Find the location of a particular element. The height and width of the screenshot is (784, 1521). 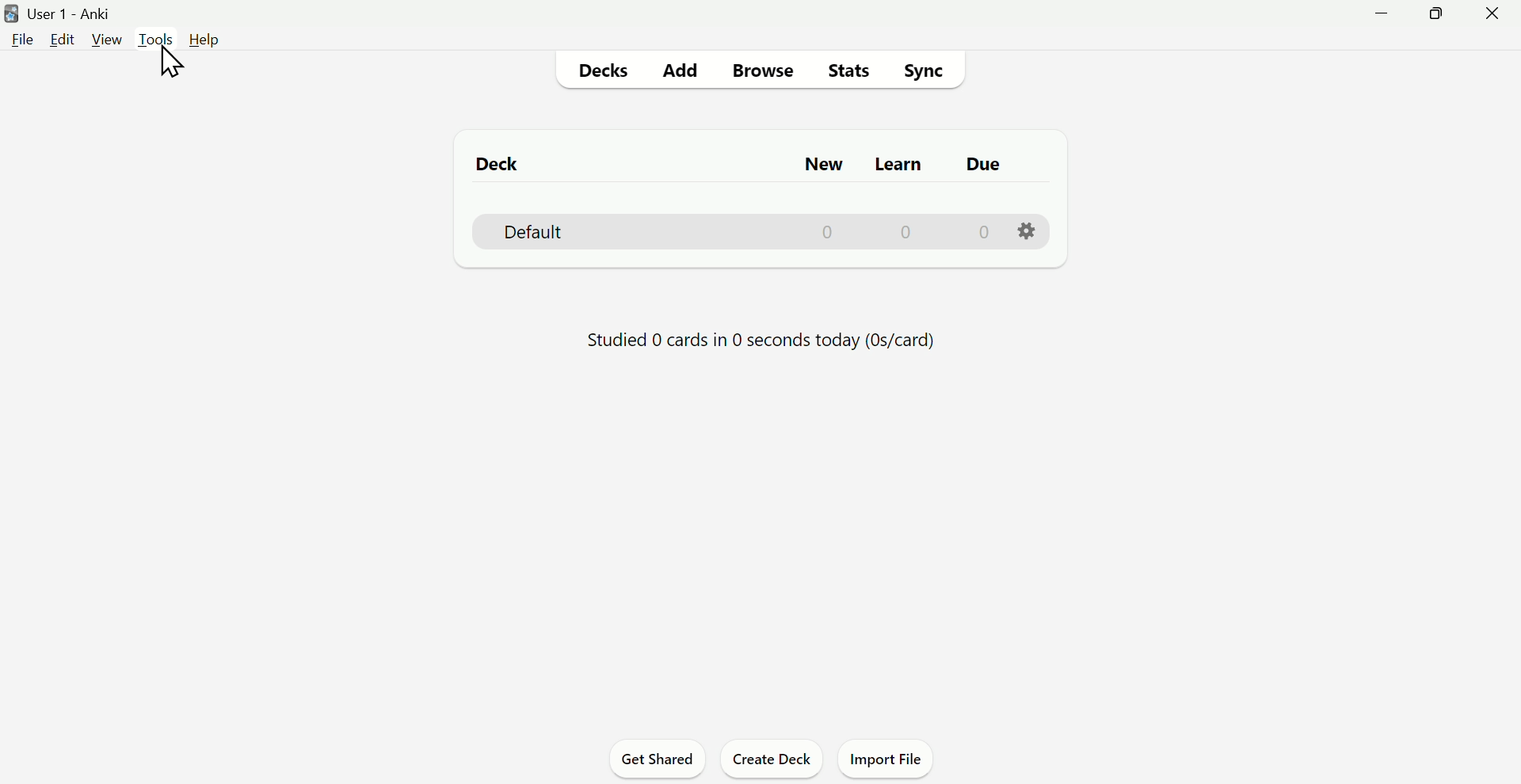

Decks is located at coordinates (601, 69).